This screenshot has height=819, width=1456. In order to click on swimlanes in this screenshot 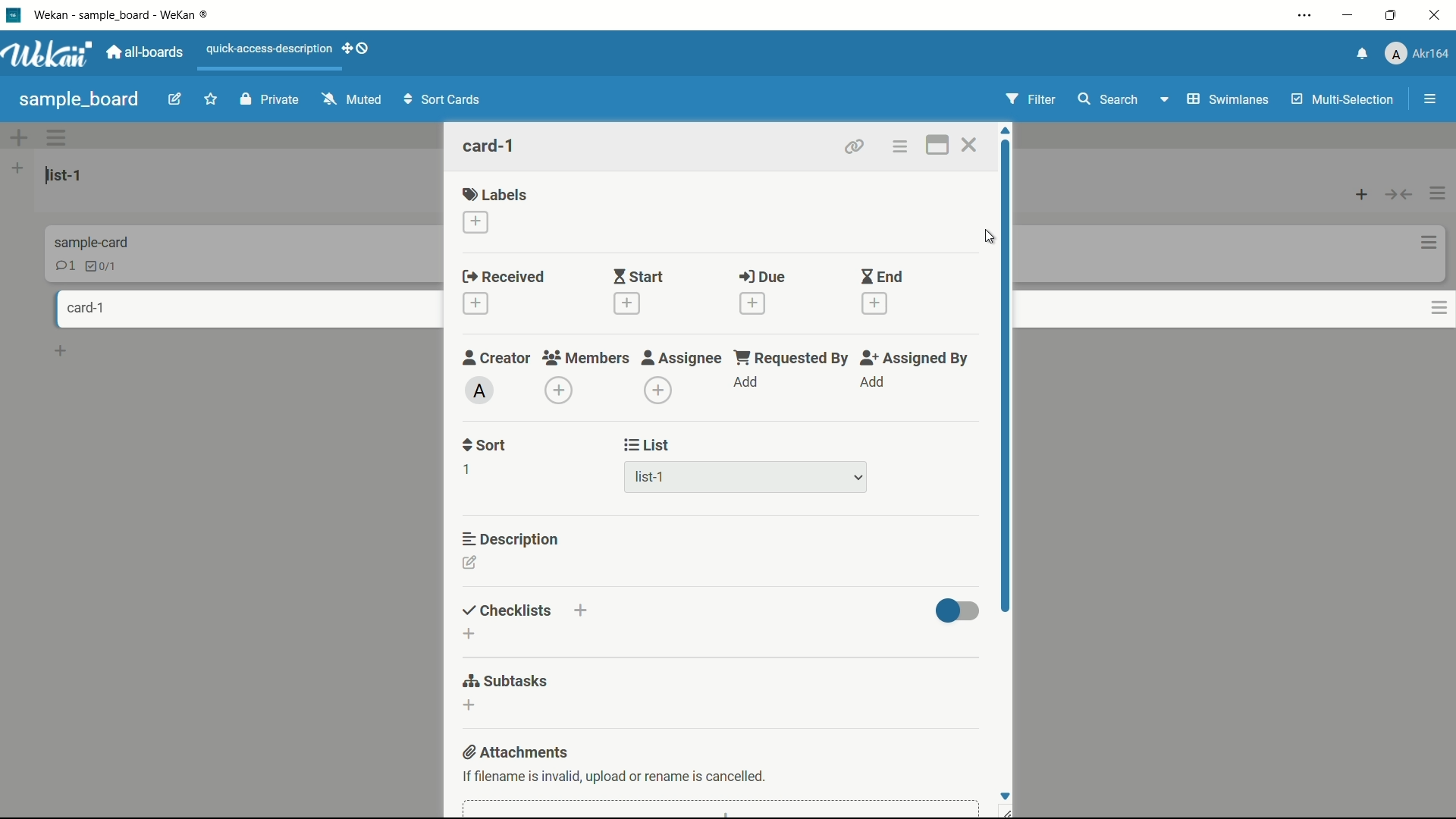, I will do `click(1213, 99)`.